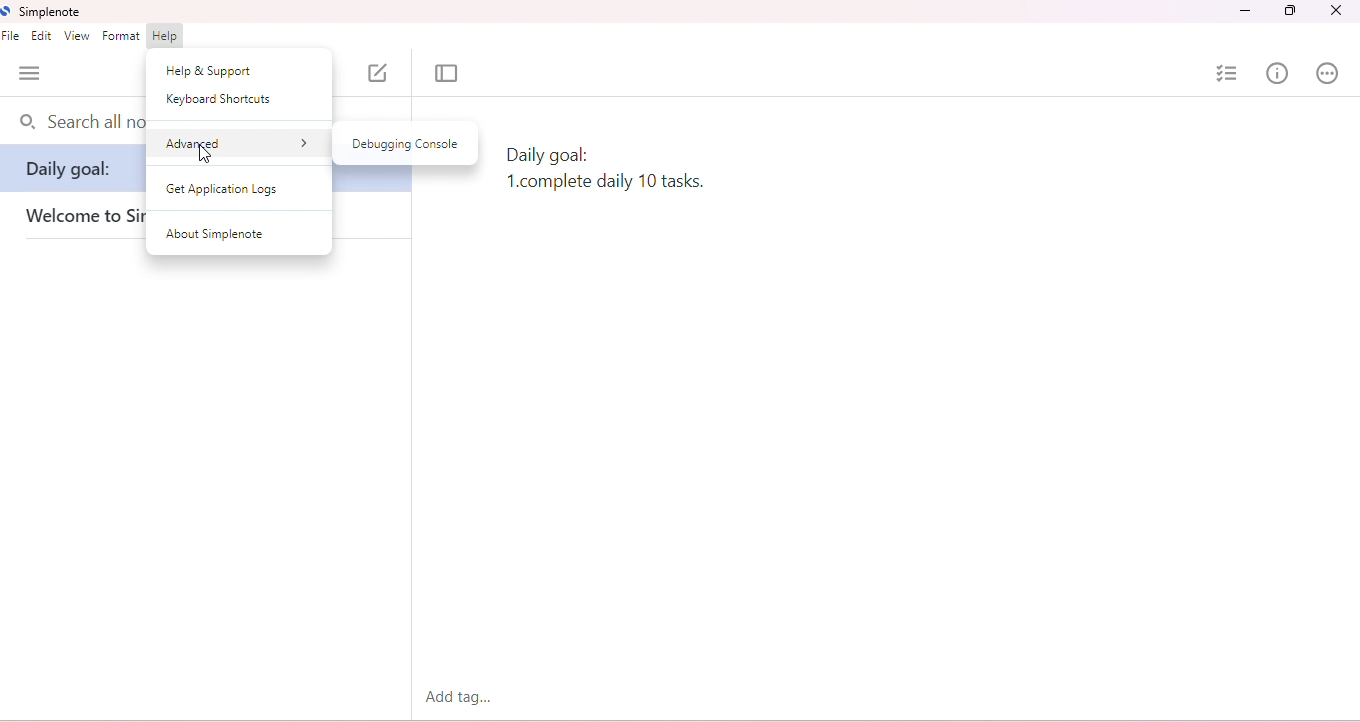  What do you see at coordinates (1337, 12) in the screenshot?
I see `close` at bounding box center [1337, 12].